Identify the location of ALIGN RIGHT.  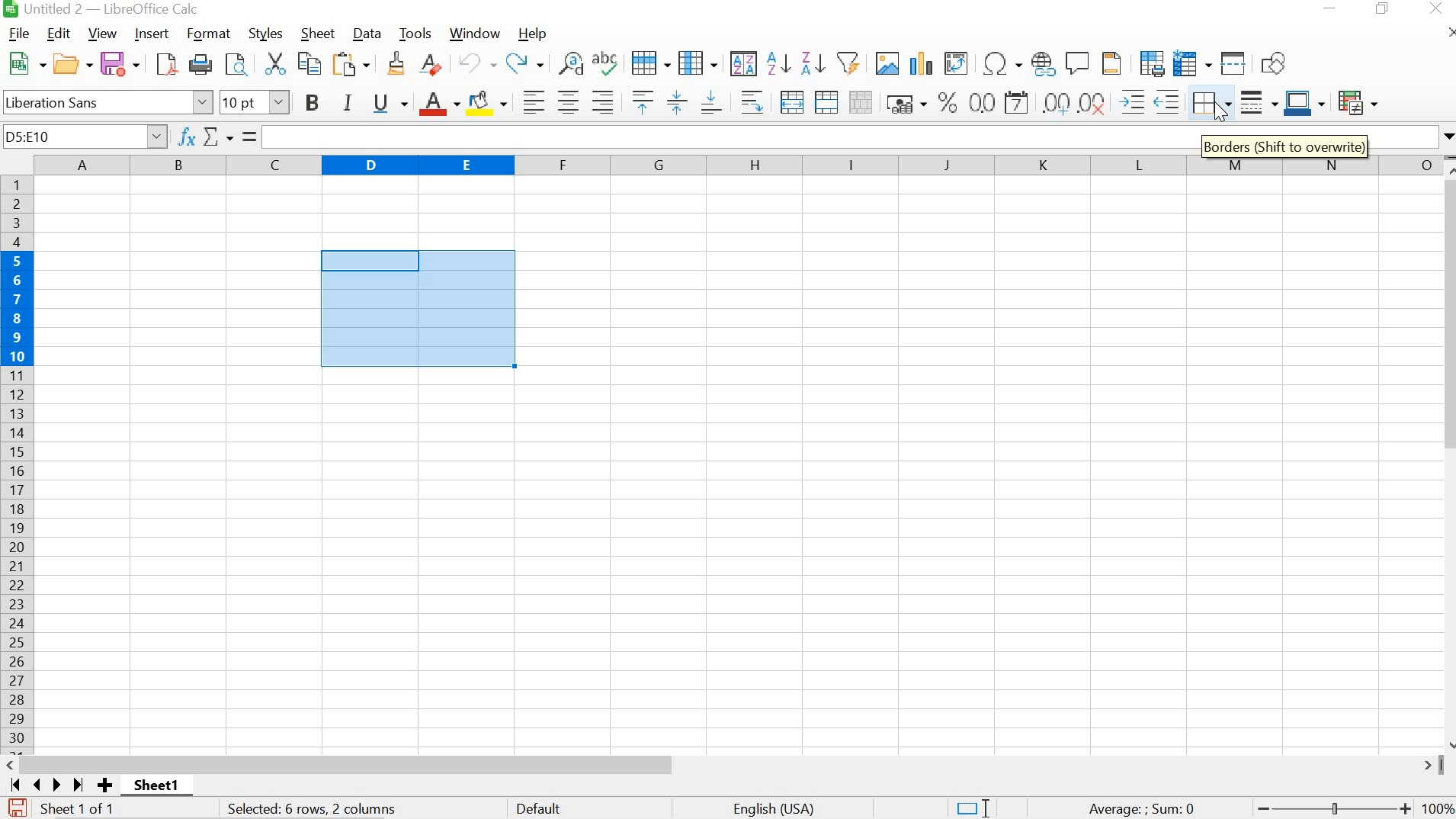
(601, 101).